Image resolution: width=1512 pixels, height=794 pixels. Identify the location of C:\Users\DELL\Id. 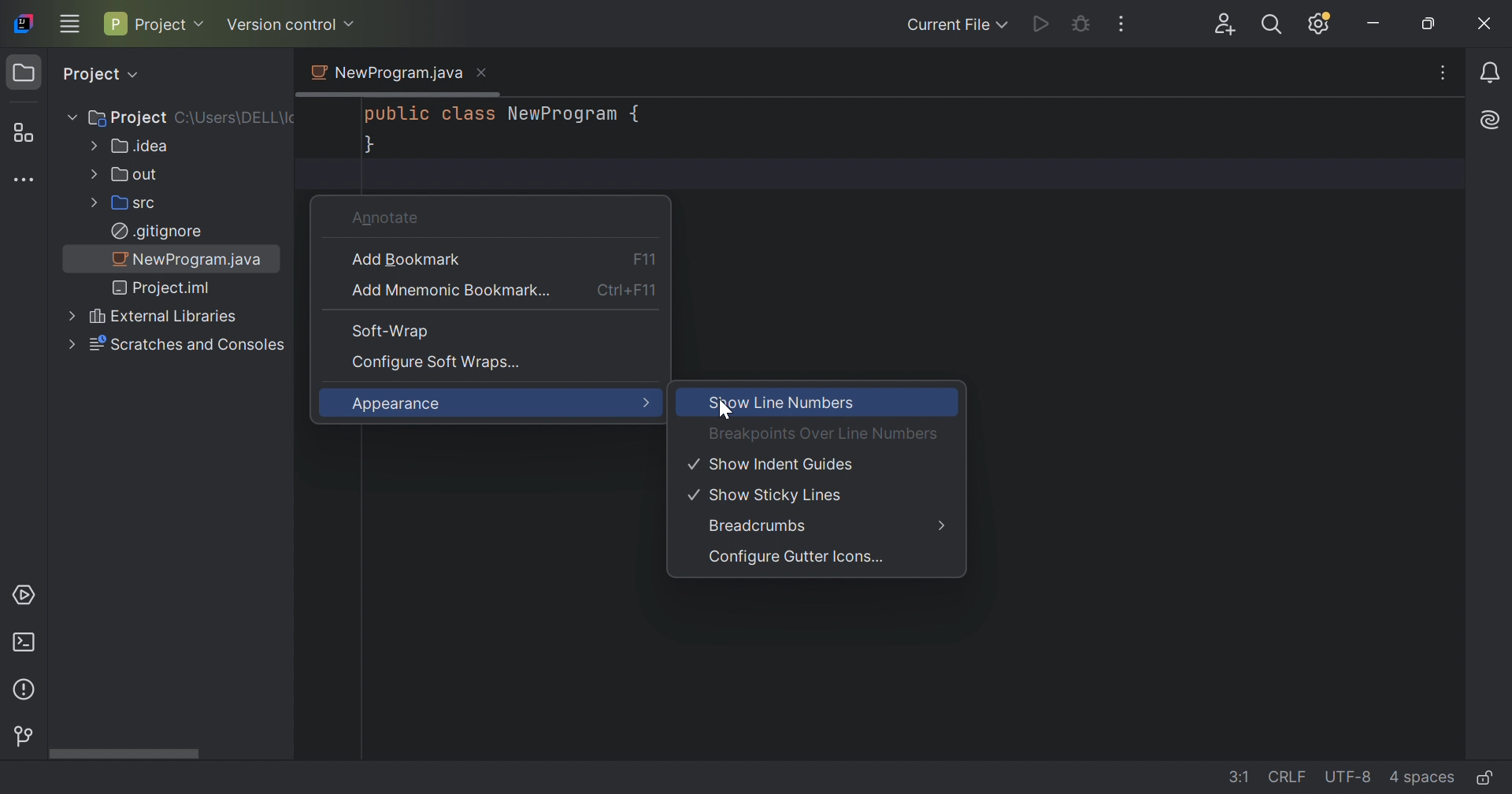
(235, 120).